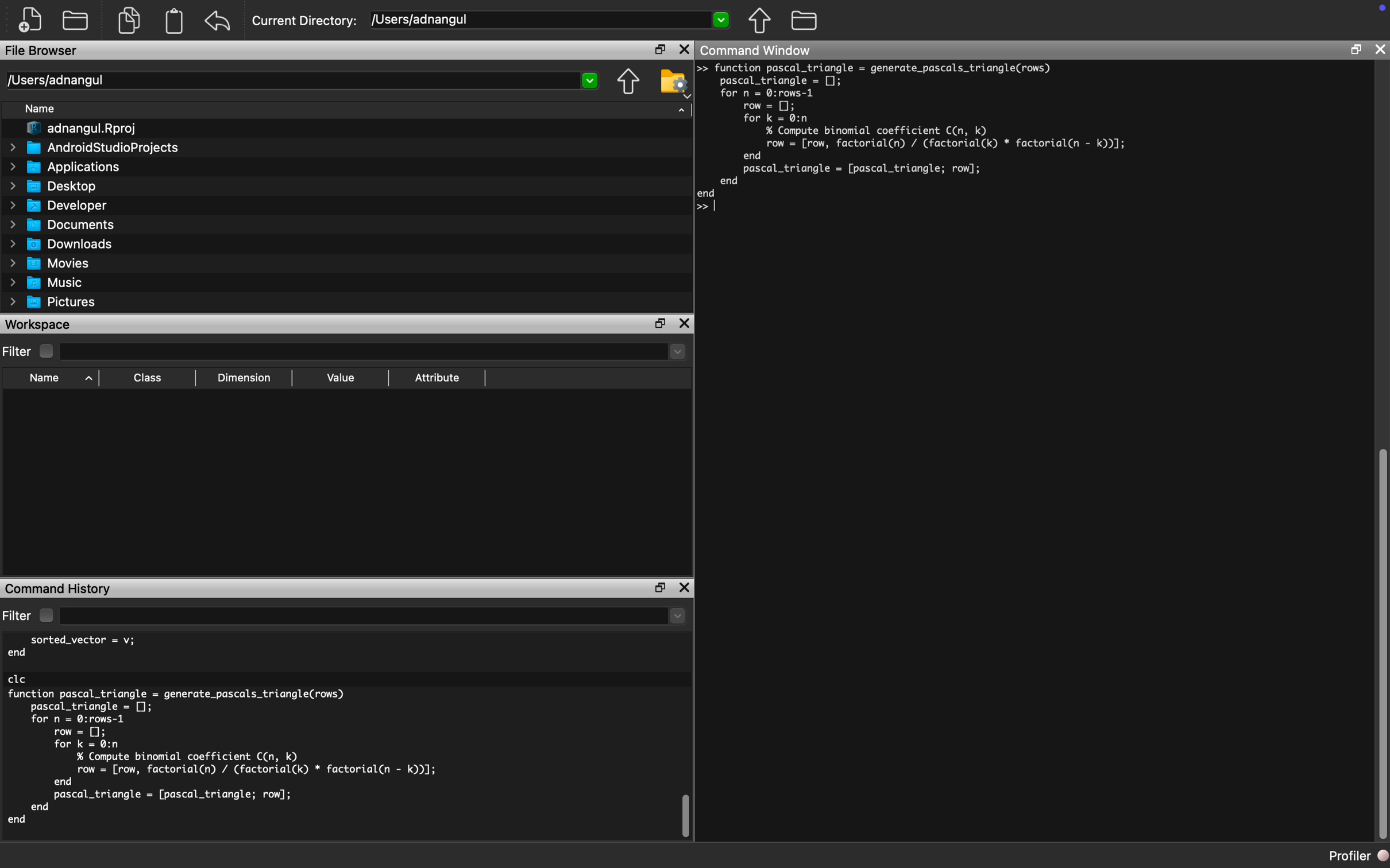 The height and width of the screenshot is (868, 1390). Describe the element at coordinates (627, 83) in the screenshot. I see `Parent Directory` at that location.